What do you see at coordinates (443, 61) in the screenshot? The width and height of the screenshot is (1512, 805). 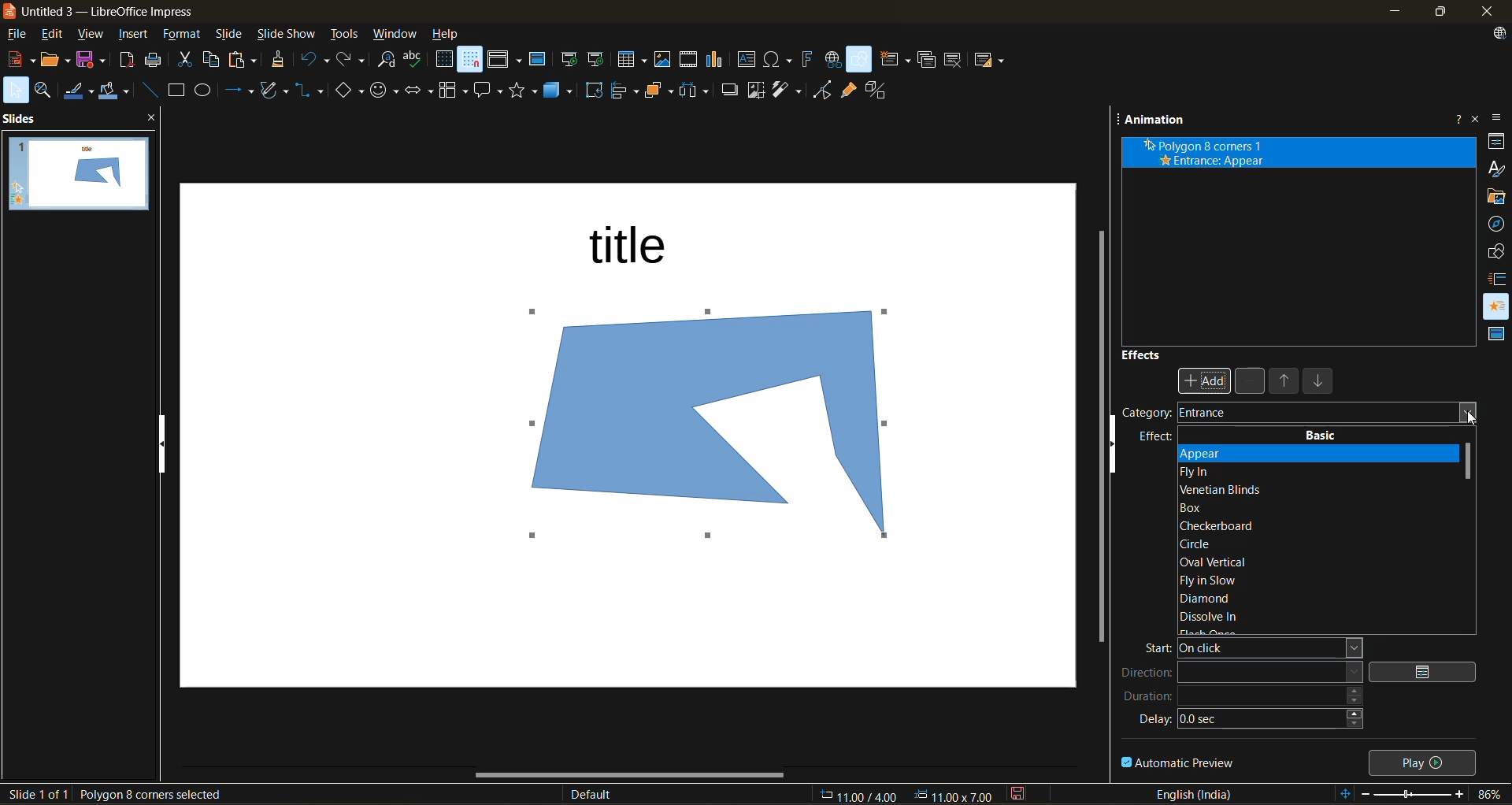 I see `display grid` at bounding box center [443, 61].